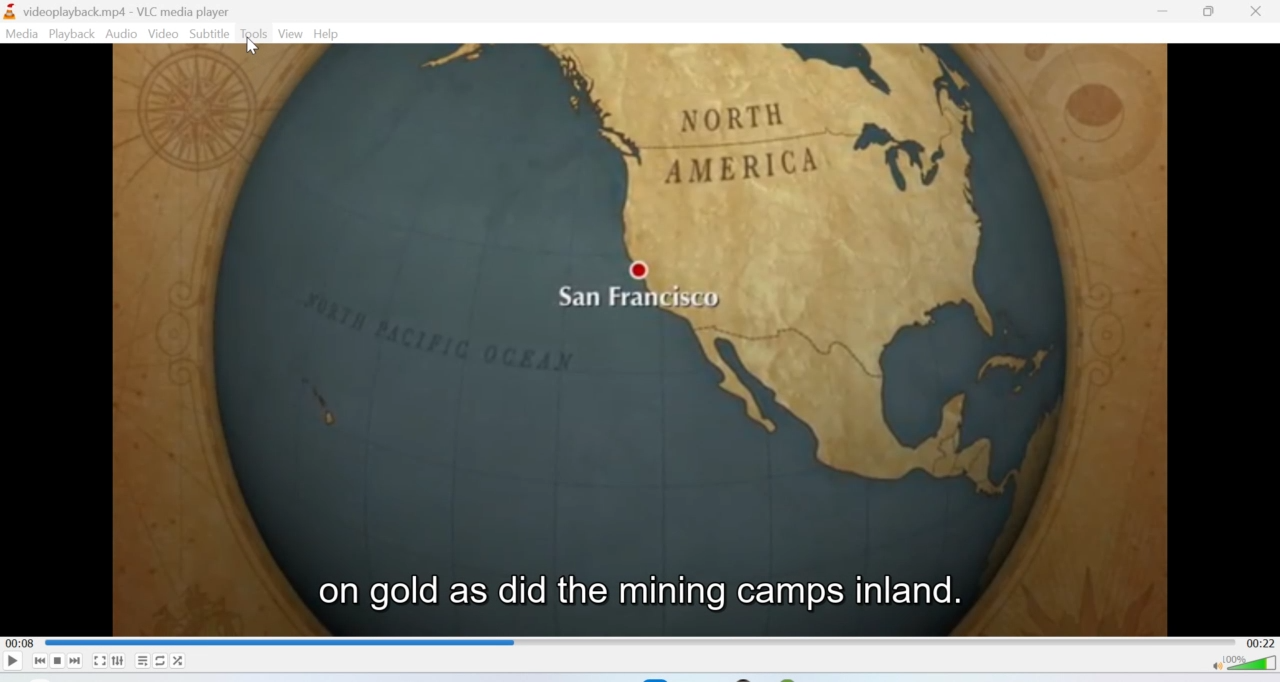  What do you see at coordinates (382, 770) in the screenshot?
I see `Shuffle` at bounding box center [382, 770].